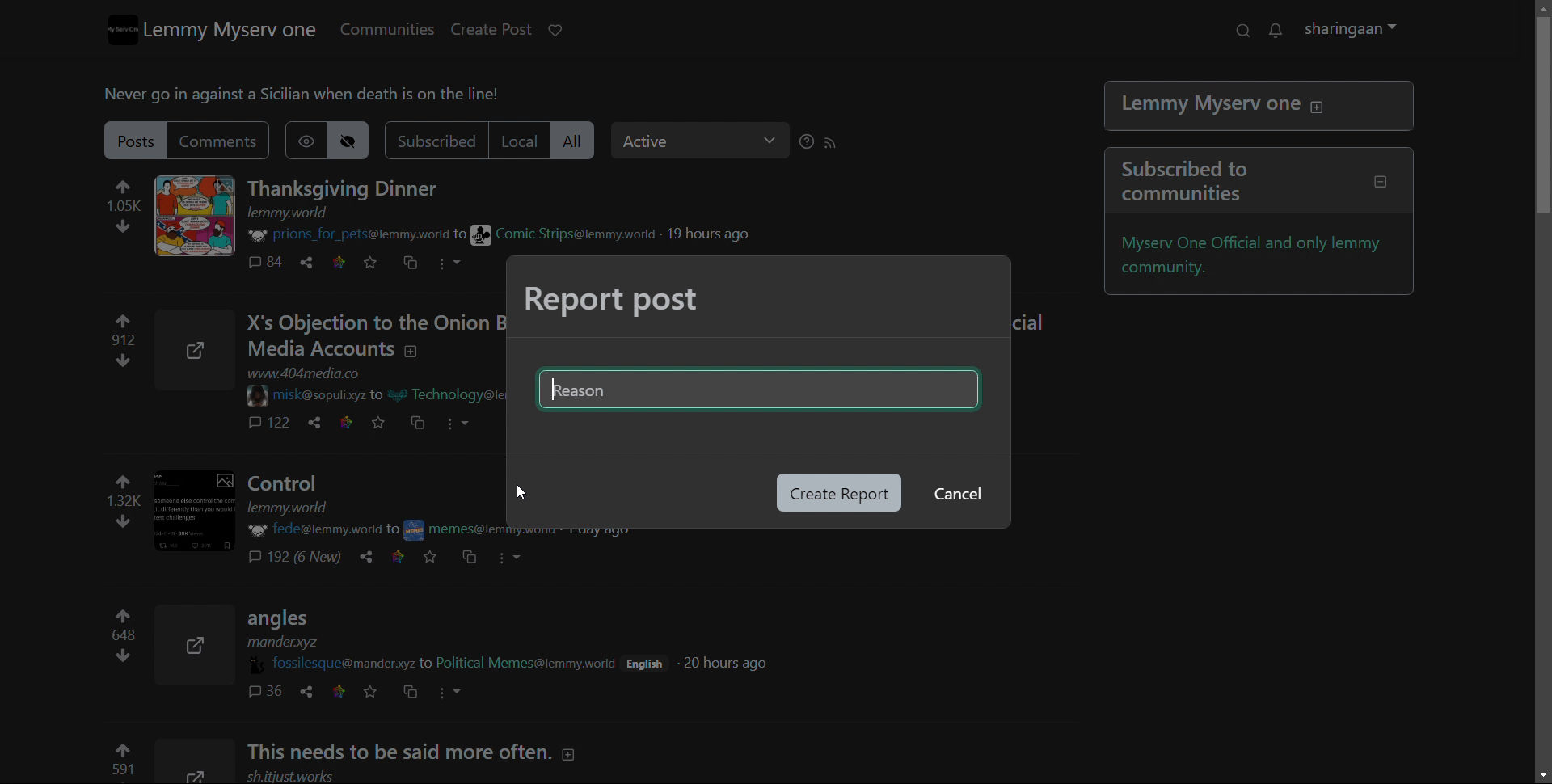  I want to click on favorites, so click(377, 691).